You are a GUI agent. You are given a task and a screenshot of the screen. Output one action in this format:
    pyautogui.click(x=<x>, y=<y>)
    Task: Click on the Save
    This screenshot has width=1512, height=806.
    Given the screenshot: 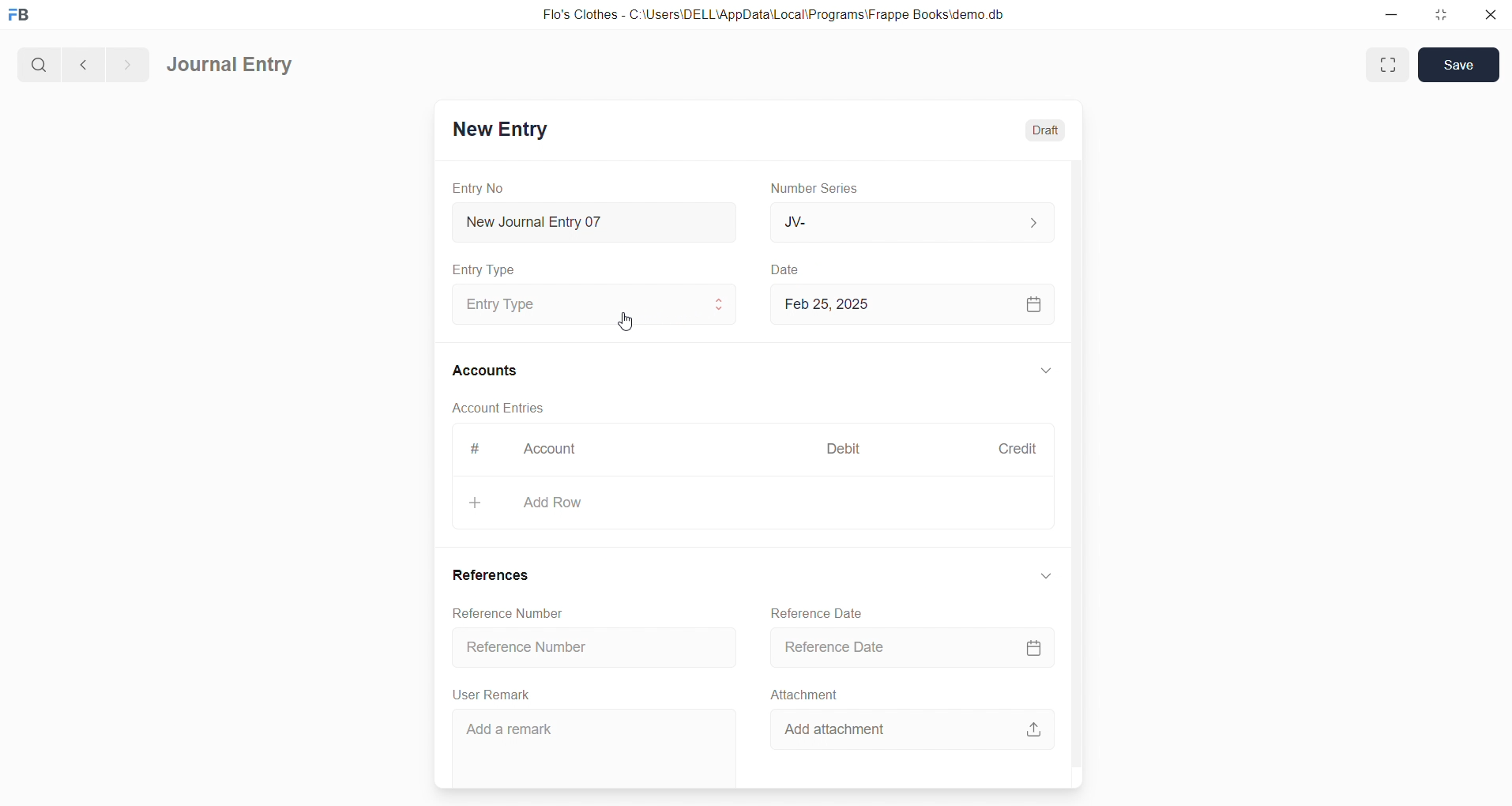 What is the action you would take?
    pyautogui.click(x=1459, y=65)
    